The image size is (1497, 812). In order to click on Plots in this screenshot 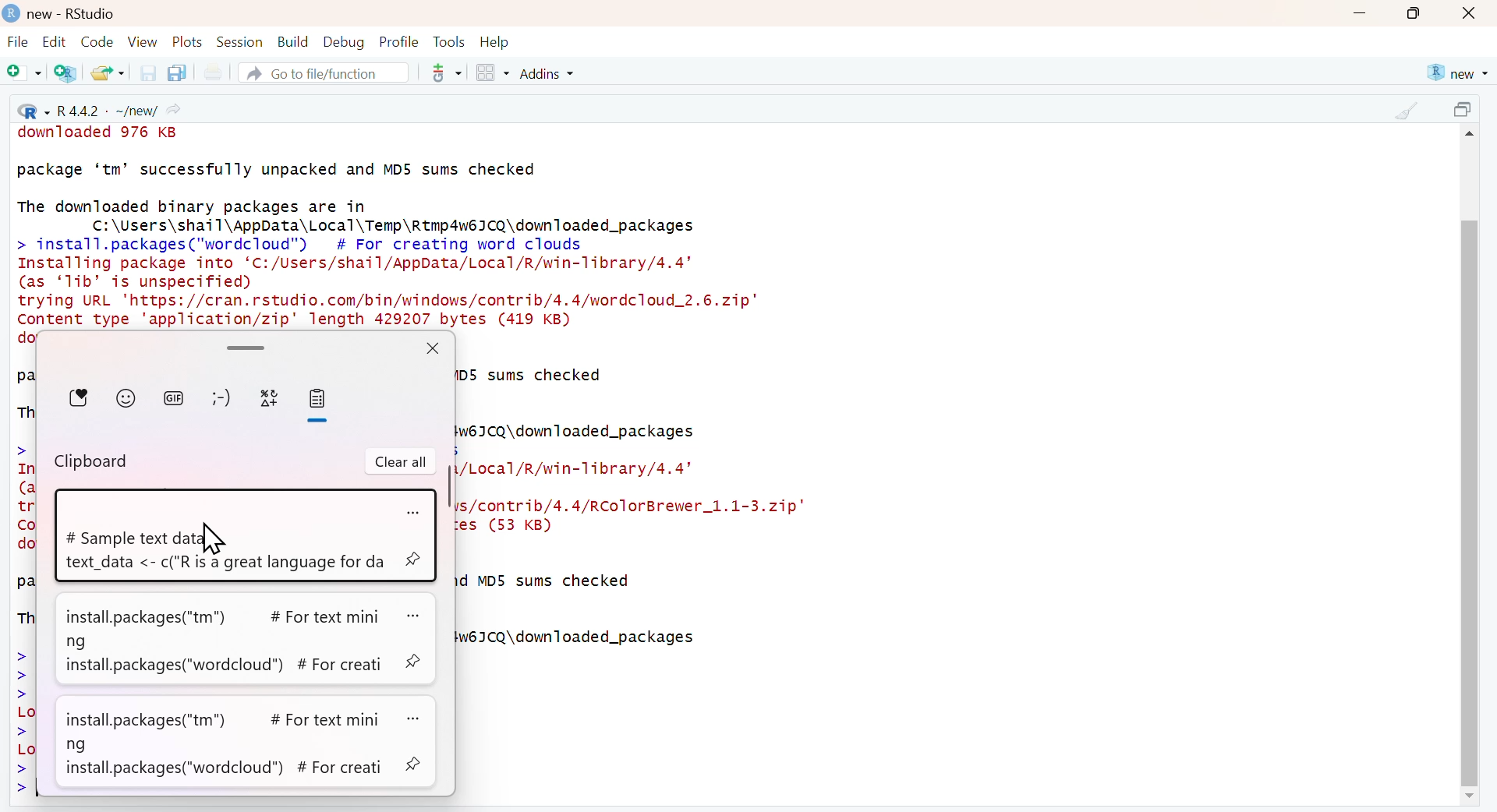, I will do `click(189, 42)`.